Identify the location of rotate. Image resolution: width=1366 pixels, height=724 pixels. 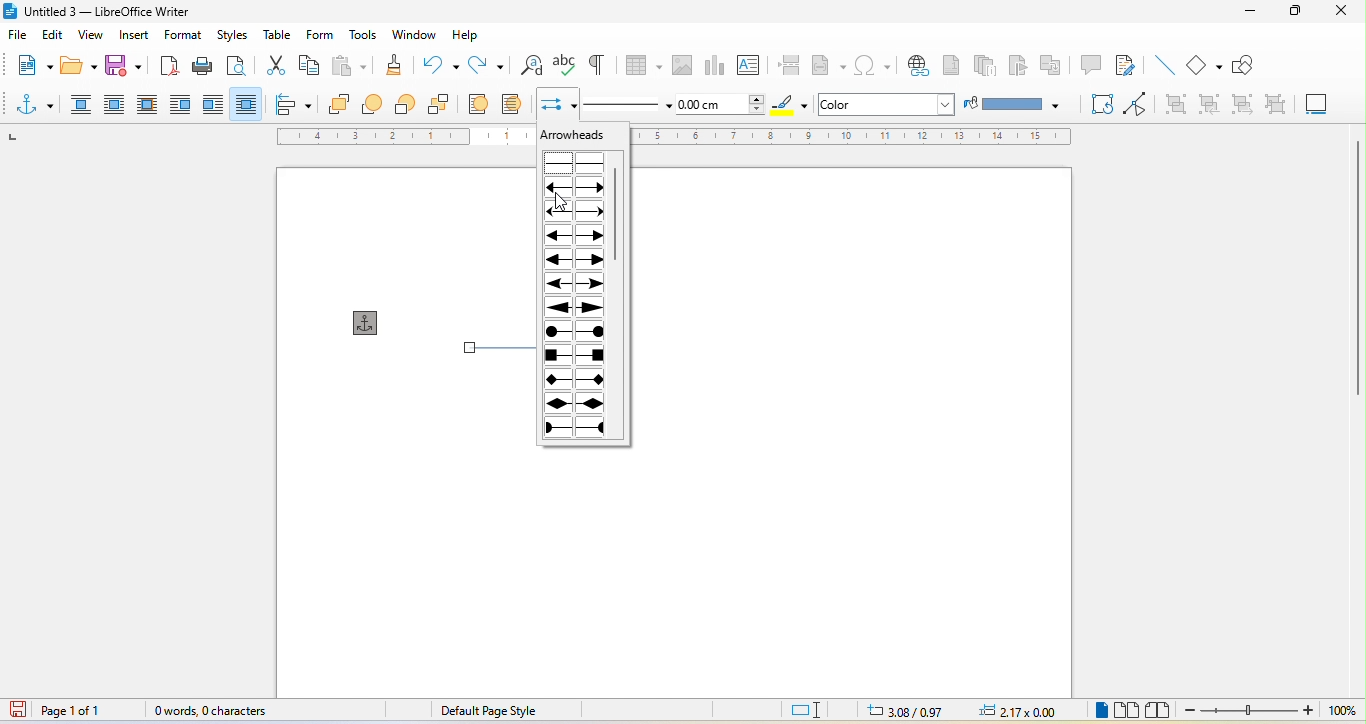
(1100, 103).